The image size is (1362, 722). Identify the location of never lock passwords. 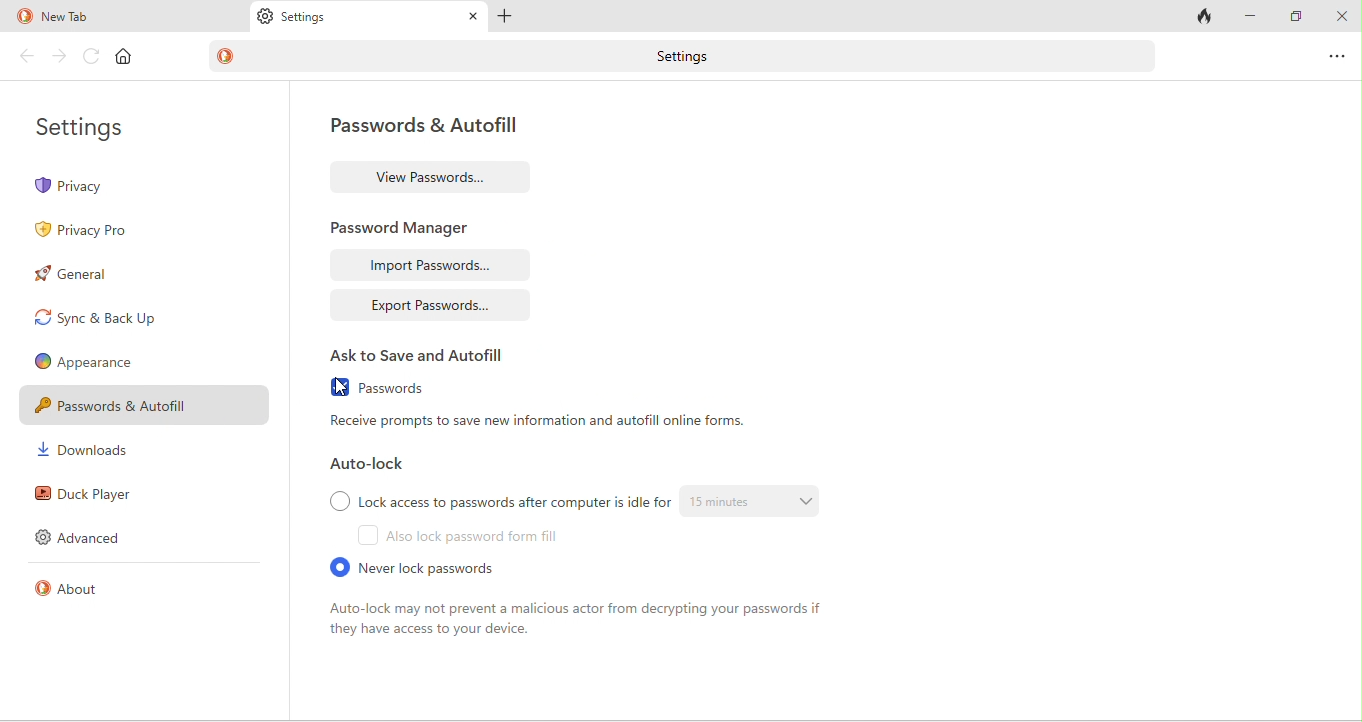
(431, 568).